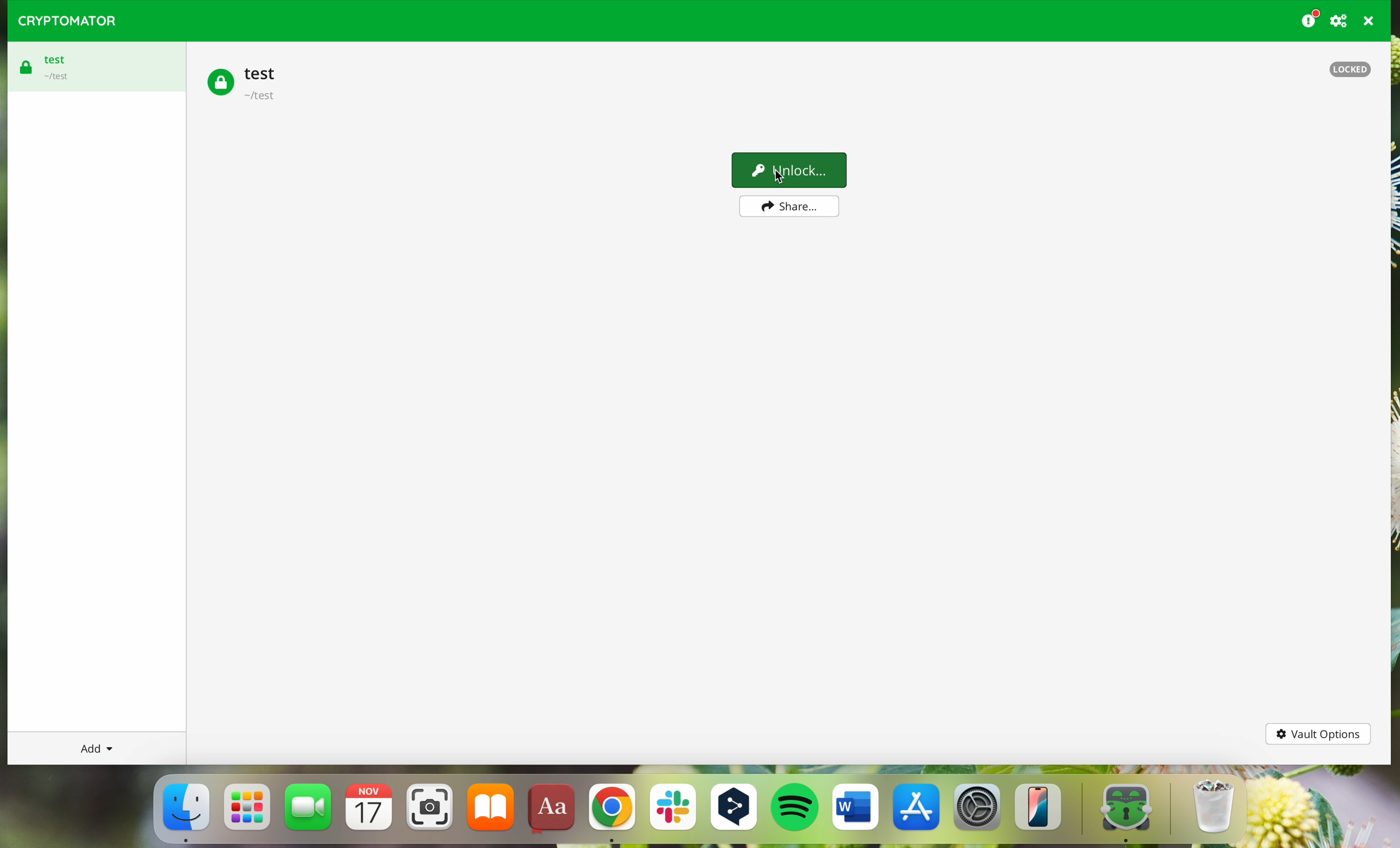  What do you see at coordinates (371, 812) in the screenshot?
I see `calendar` at bounding box center [371, 812].